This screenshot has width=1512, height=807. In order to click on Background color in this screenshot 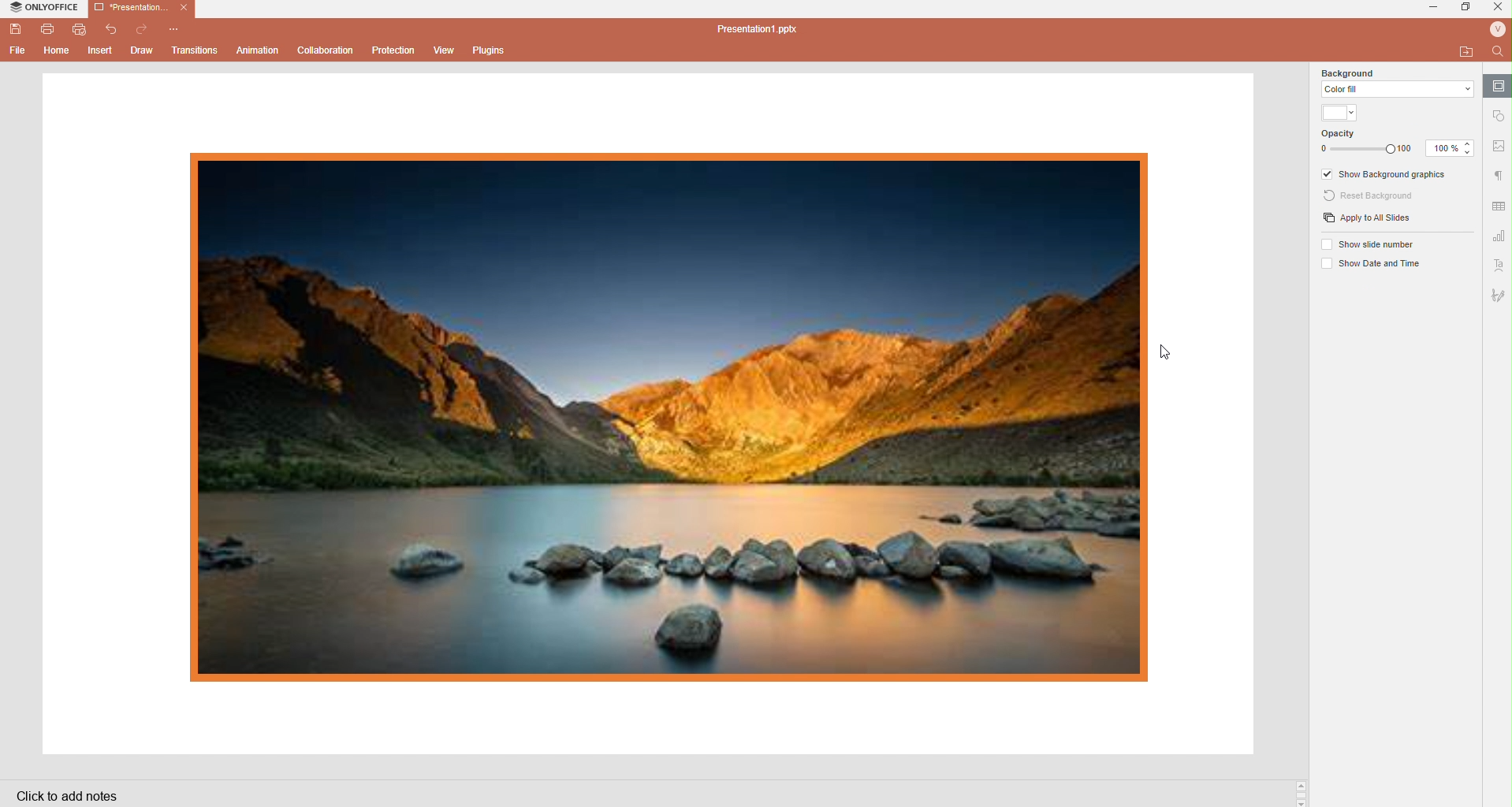, I will do `click(1339, 111)`.